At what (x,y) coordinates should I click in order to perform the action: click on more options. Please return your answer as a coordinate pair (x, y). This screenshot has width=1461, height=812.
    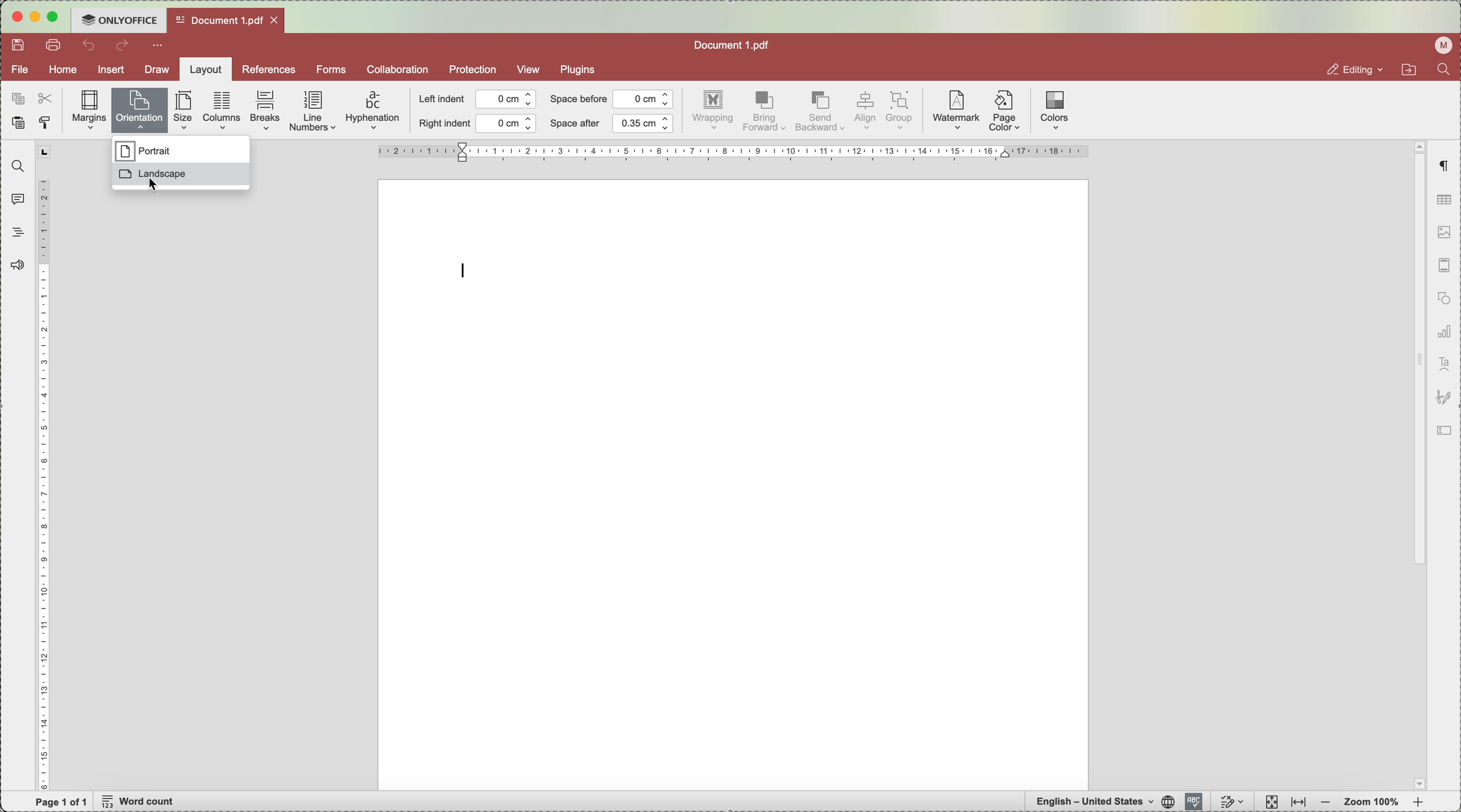
    Looking at the image, I should click on (159, 46).